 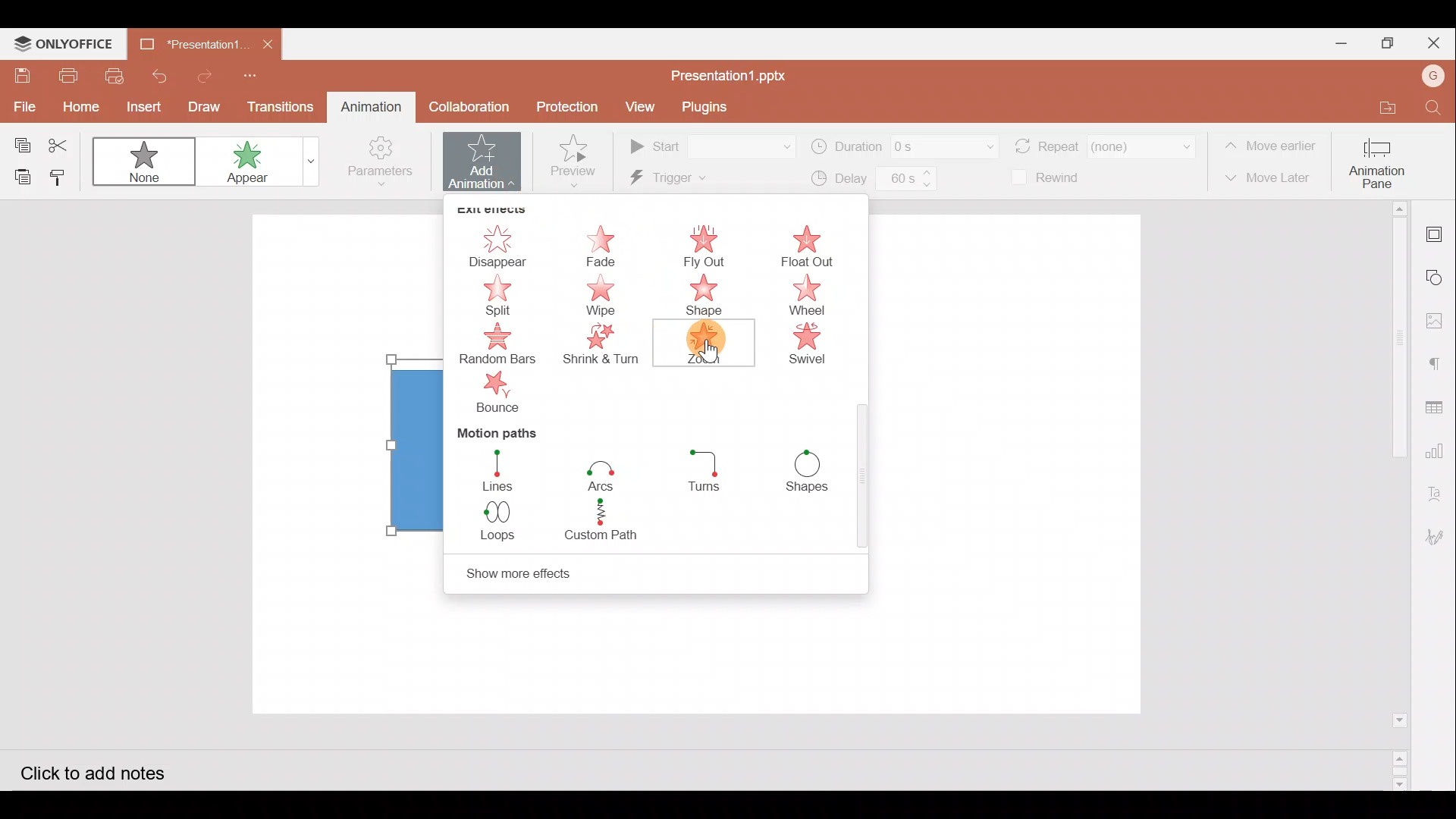 I want to click on Lines, so click(x=494, y=469).